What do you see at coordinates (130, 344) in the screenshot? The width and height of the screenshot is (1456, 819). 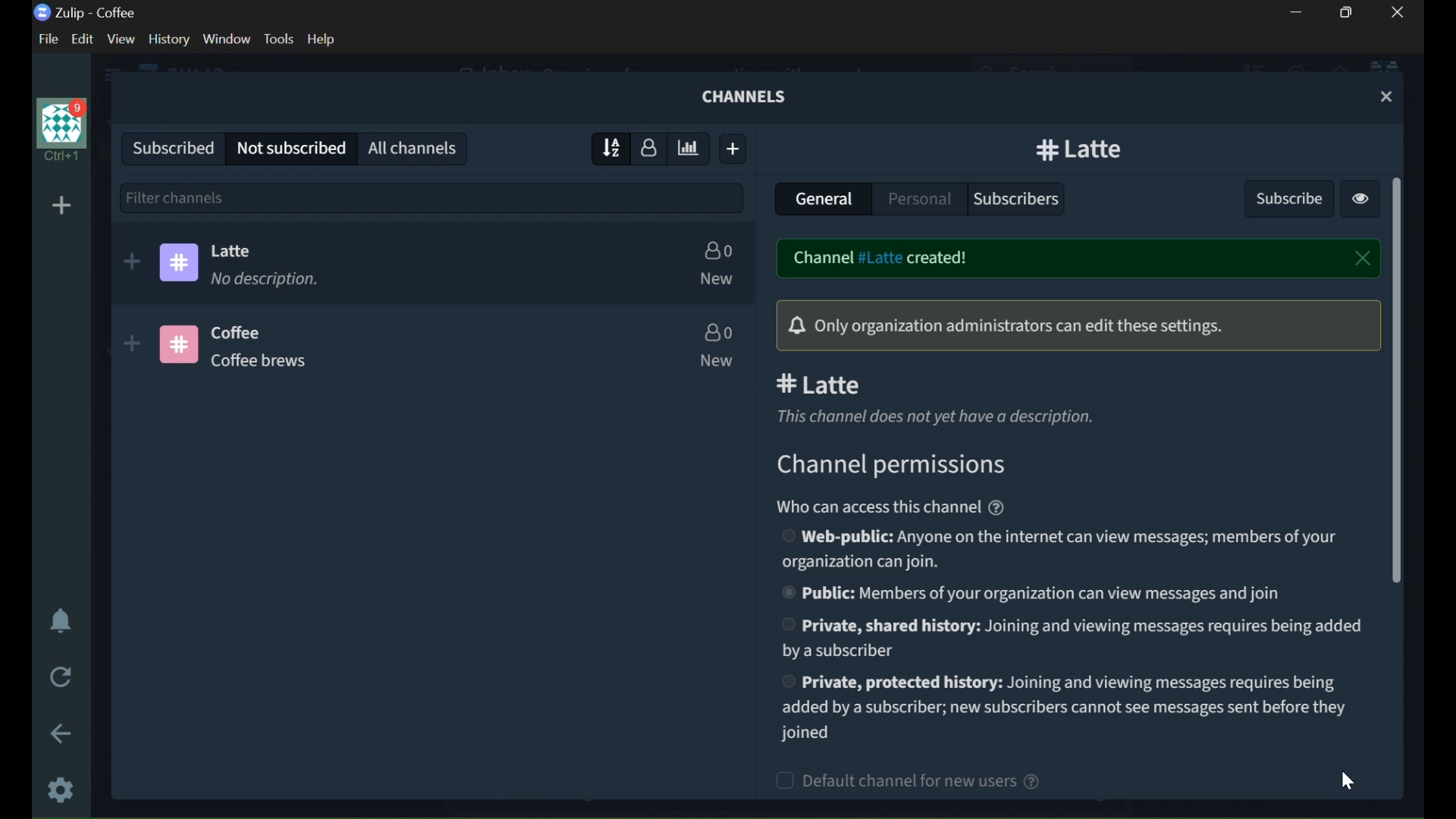 I see `SUBSCRIBE TO` at bounding box center [130, 344].